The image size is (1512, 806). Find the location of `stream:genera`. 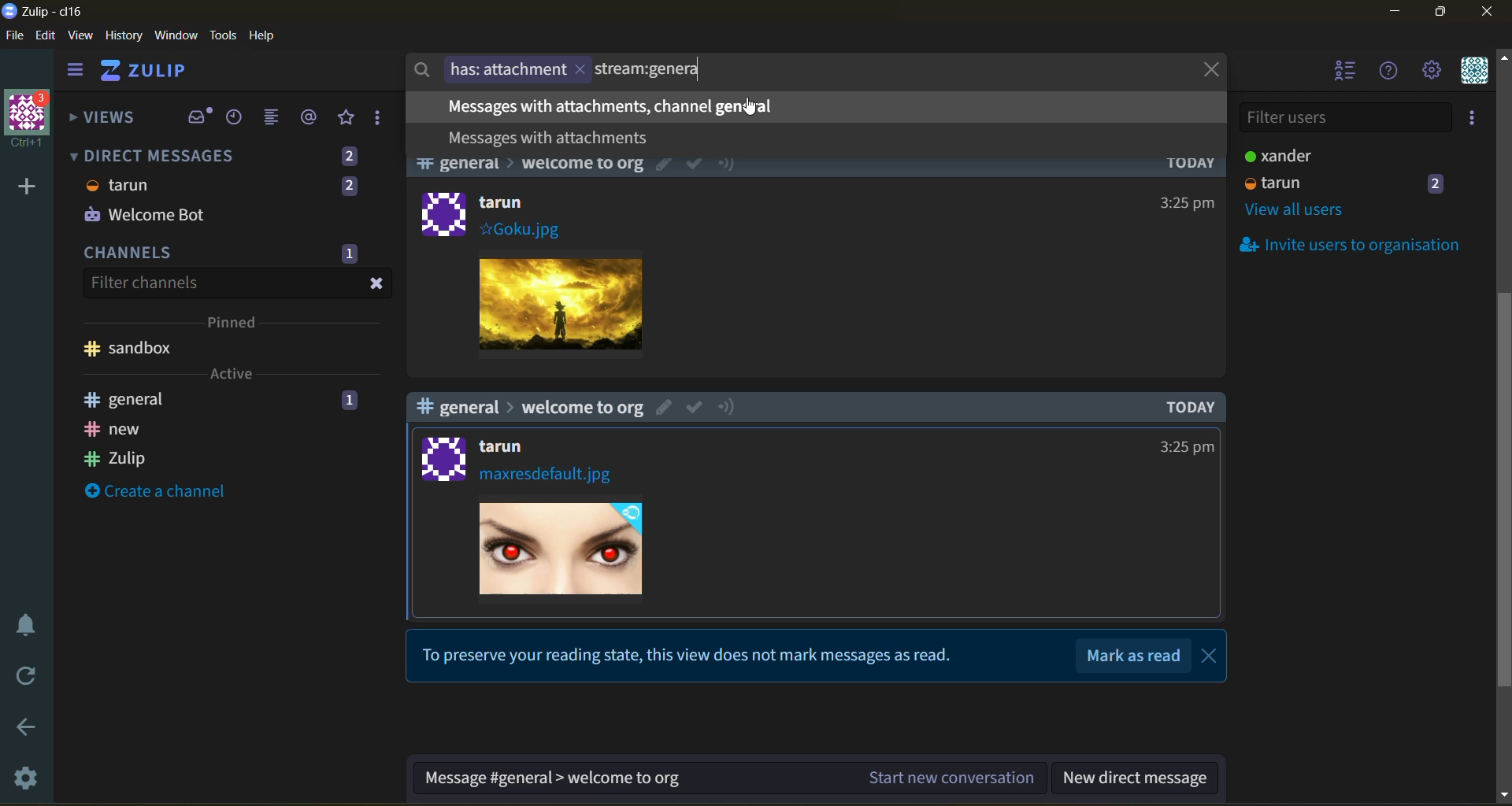

stream:genera is located at coordinates (666, 68).